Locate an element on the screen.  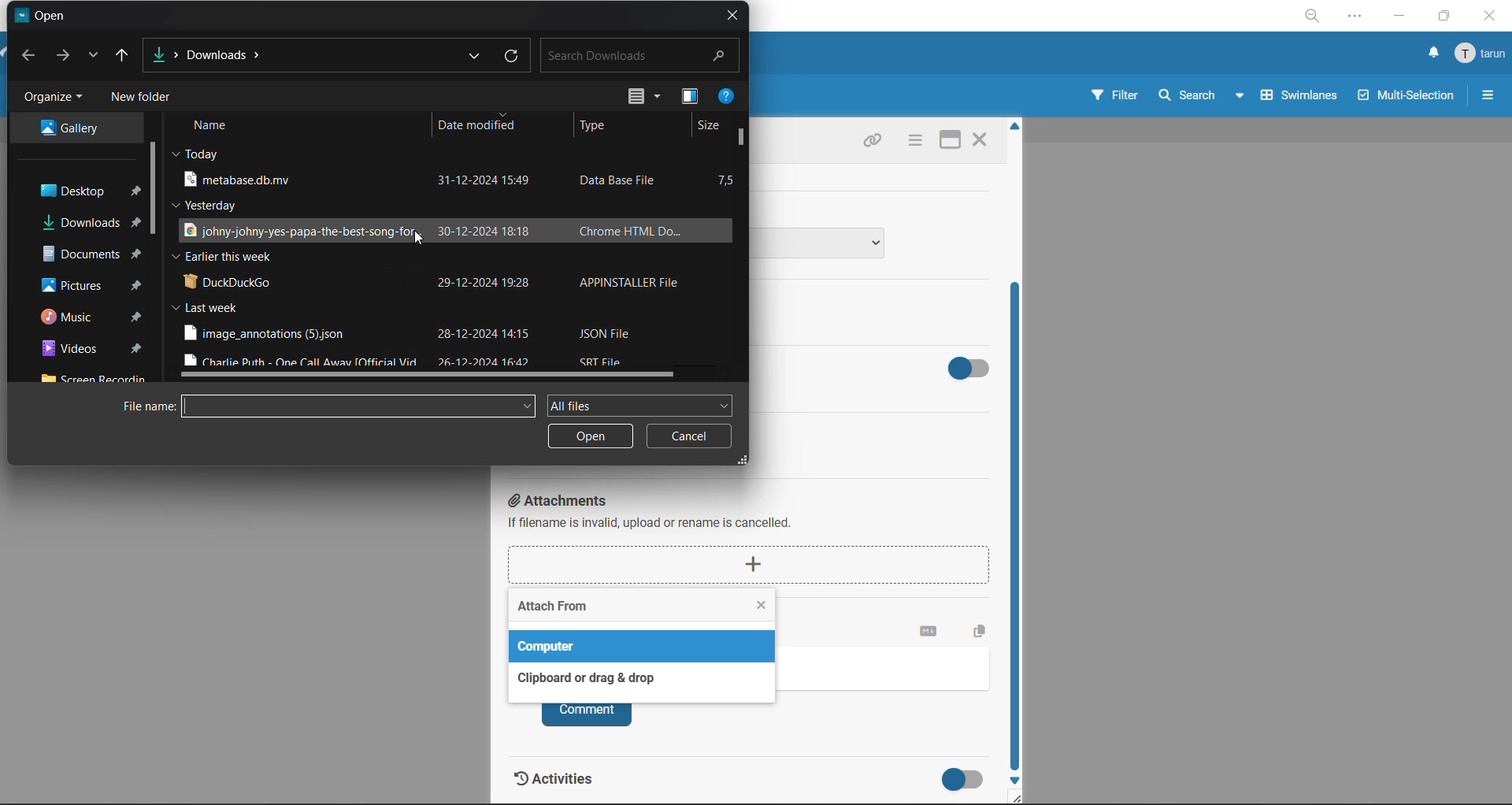
close is located at coordinates (1492, 18).